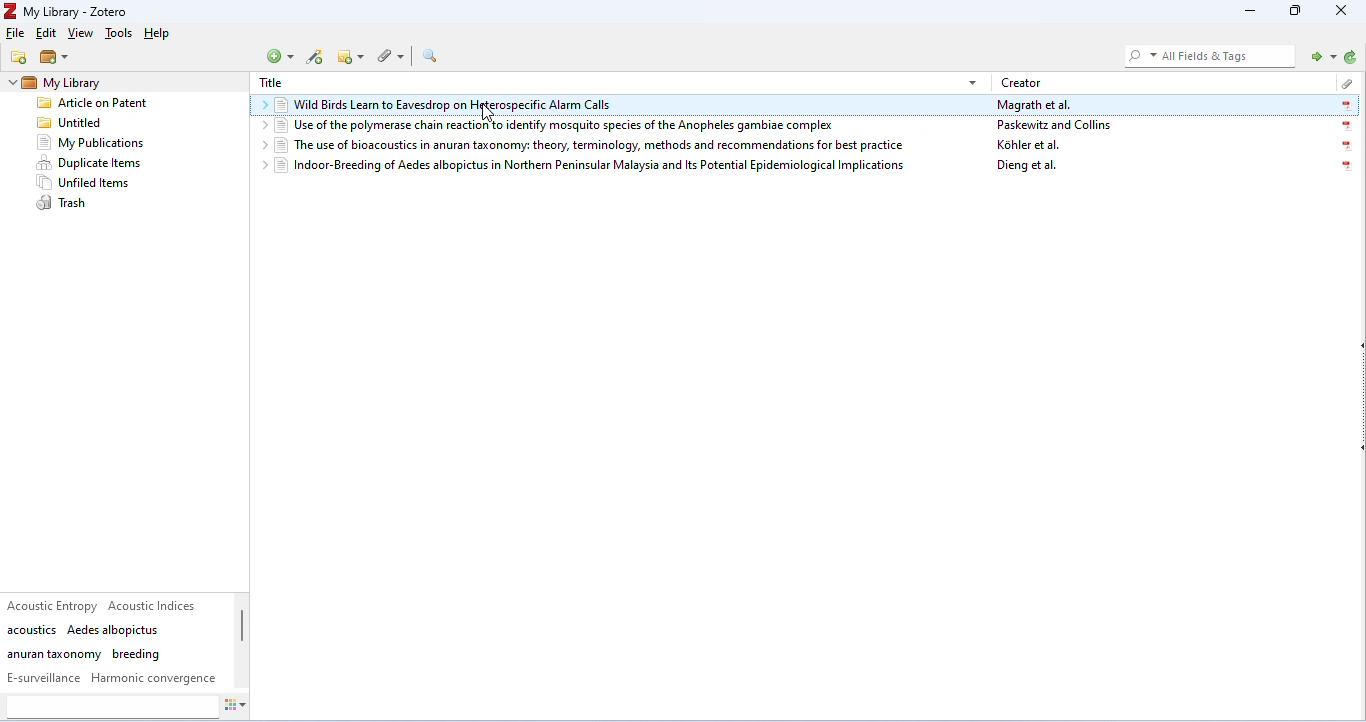 Image resolution: width=1366 pixels, height=722 pixels. I want to click on add item, so click(317, 58).